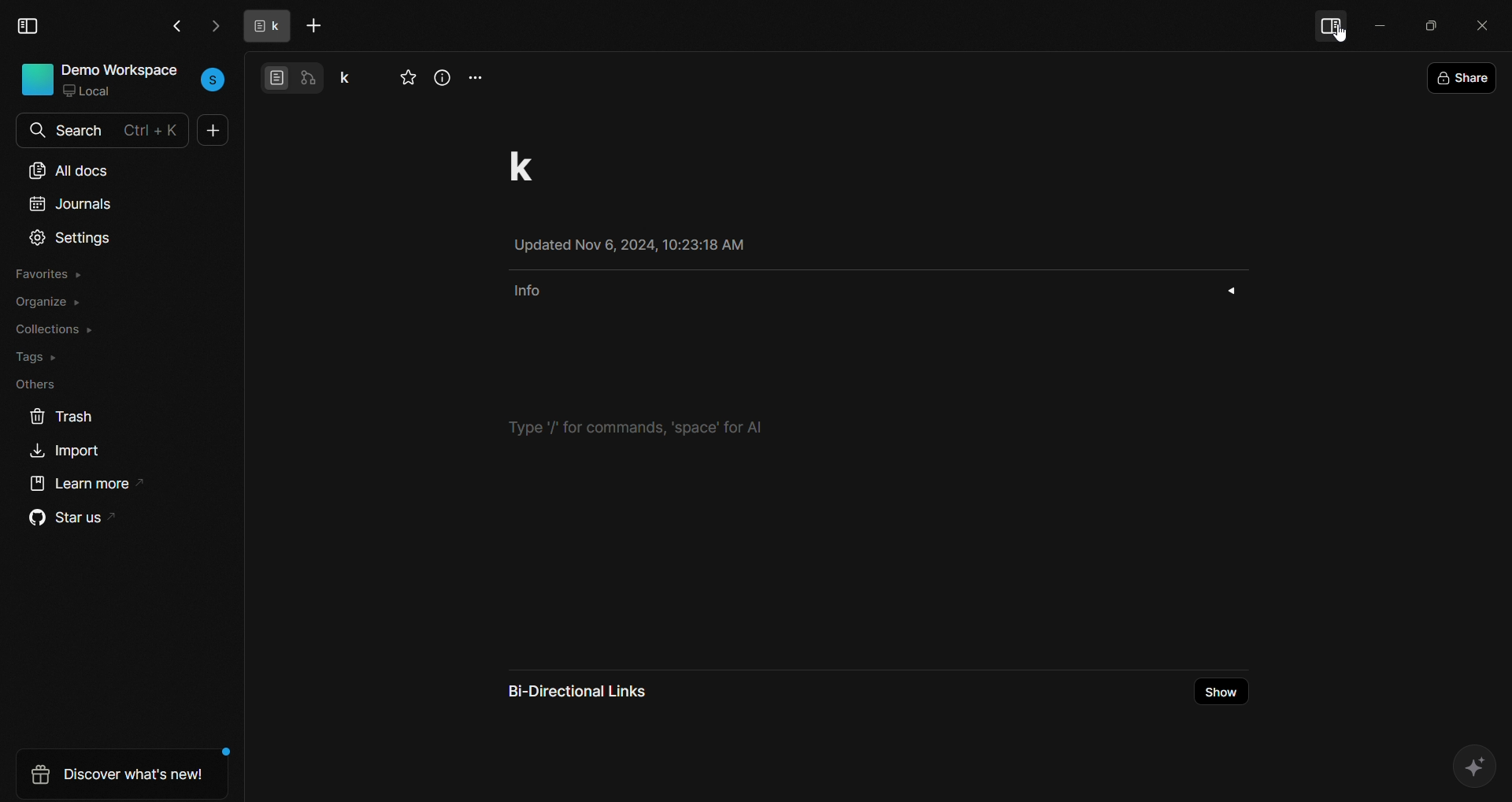  Describe the element at coordinates (60, 414) in the screenshot. I see `trash` at that location.